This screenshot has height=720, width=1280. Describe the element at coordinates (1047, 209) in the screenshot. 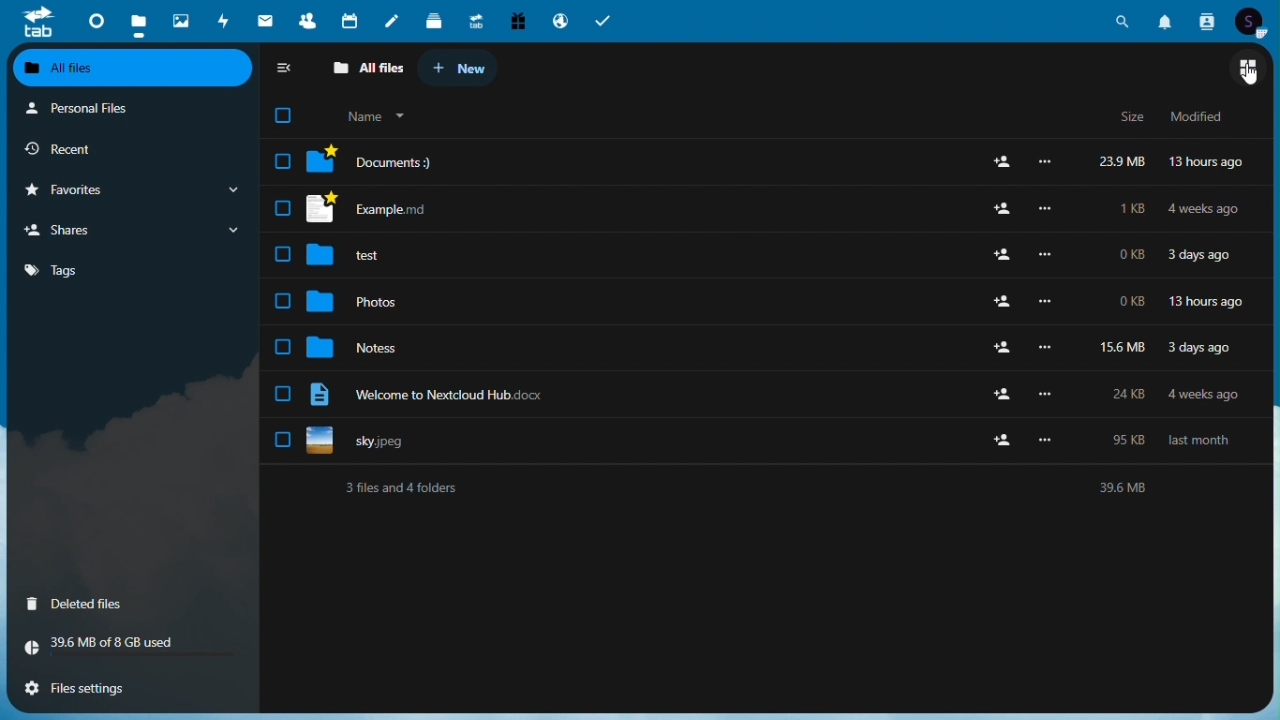

I see `more options` at that location.